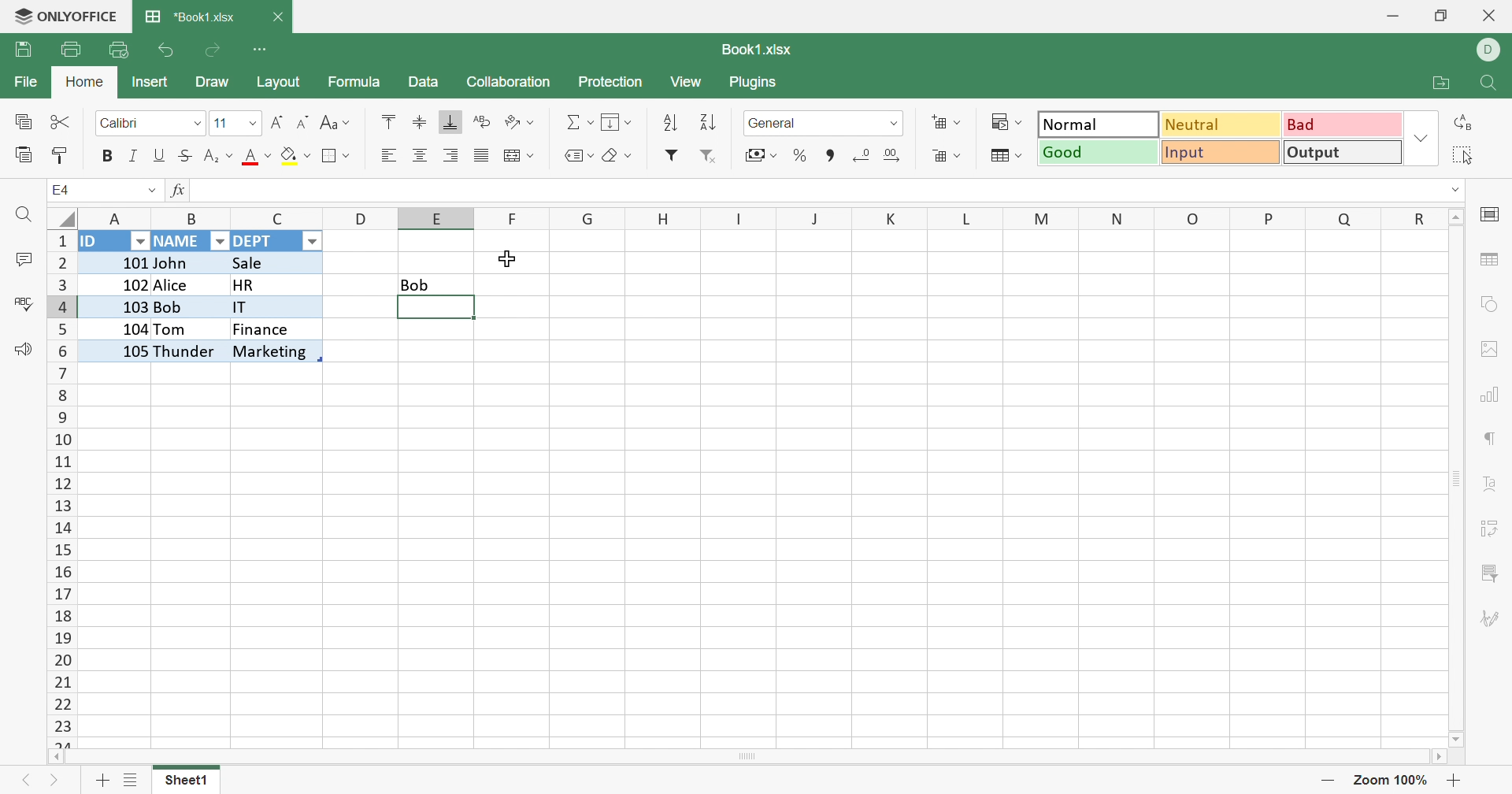  I want to click on Chart settings, so click(1485, 395).